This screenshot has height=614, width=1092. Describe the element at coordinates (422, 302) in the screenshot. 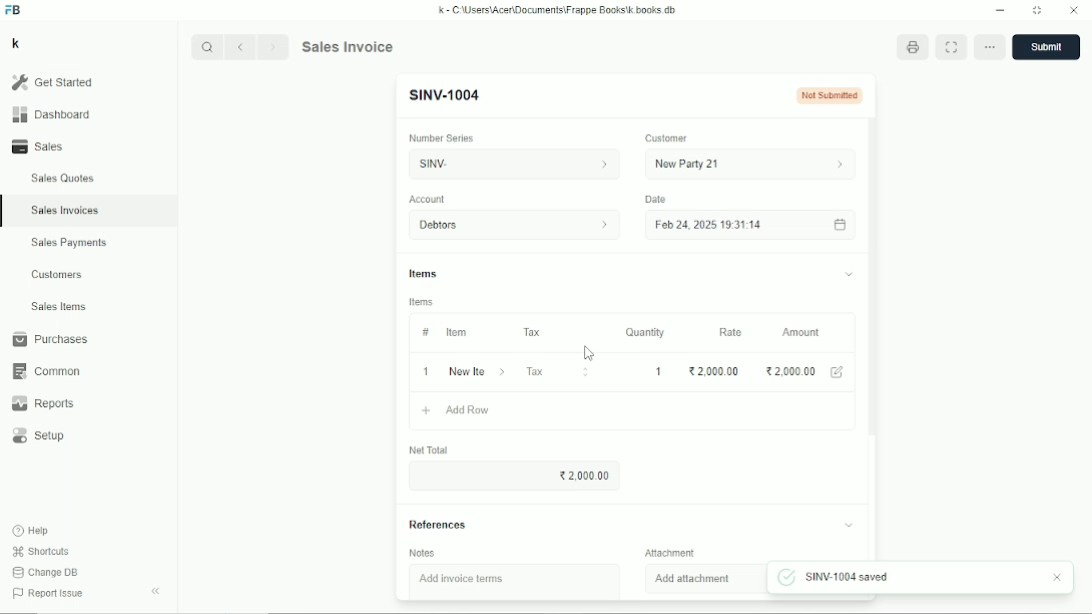

I see `Items` at that location.